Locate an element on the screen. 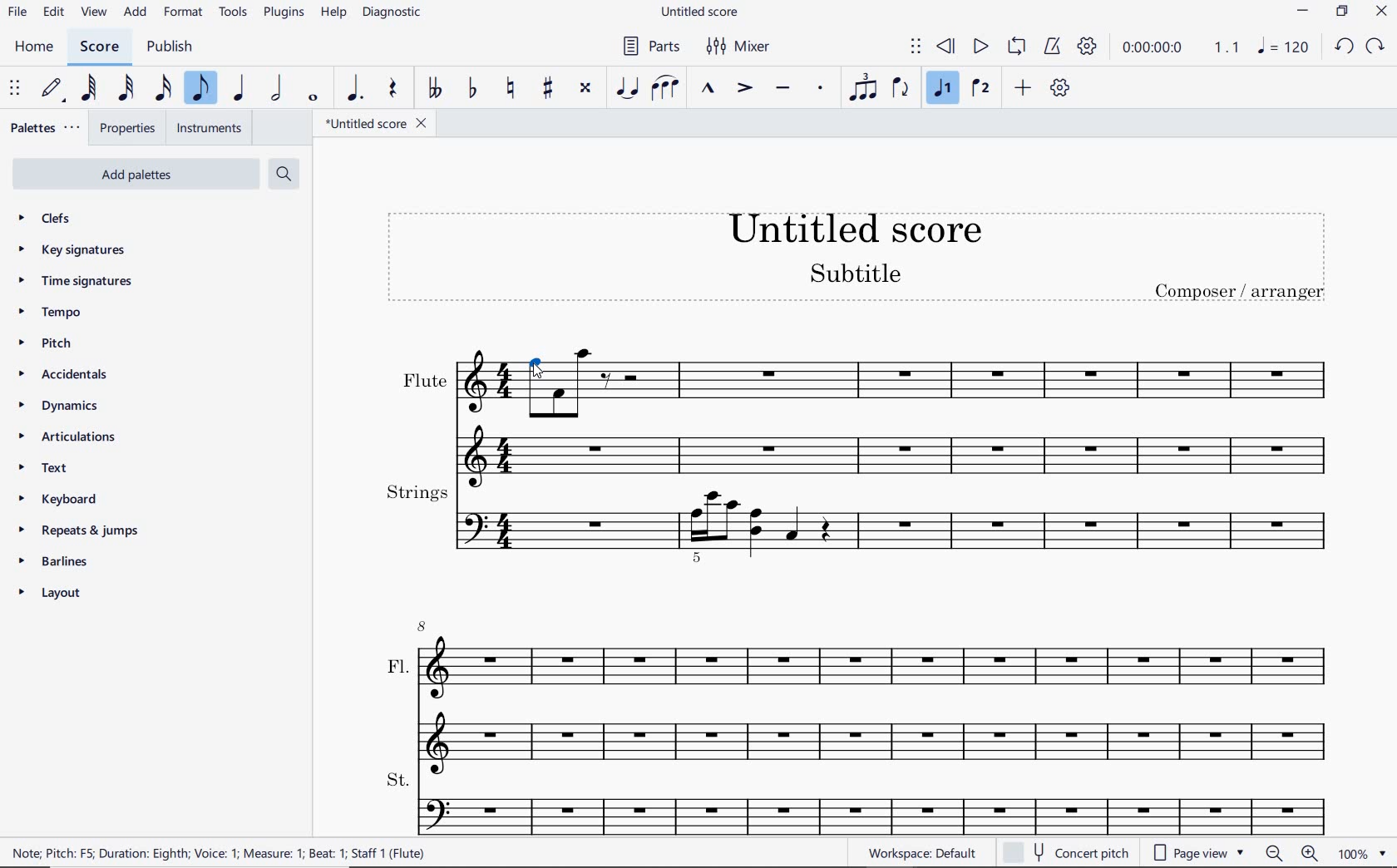 This screenshot has height=868, width=1397. concert pitch is located at coordinates (1068, 851).